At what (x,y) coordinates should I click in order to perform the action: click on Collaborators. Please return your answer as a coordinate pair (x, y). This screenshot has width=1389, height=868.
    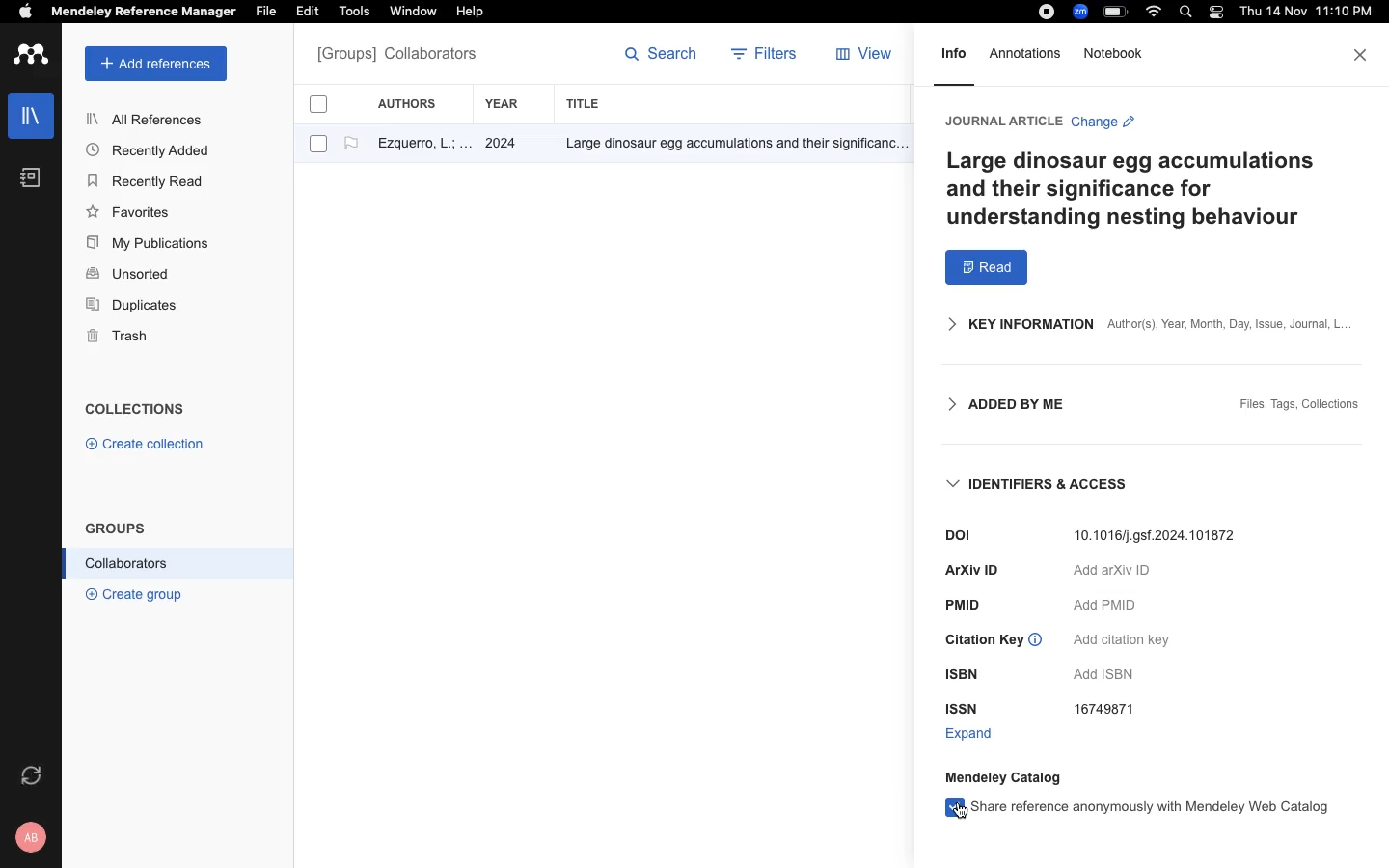
    Looking at the image, I should click on (127, 563).